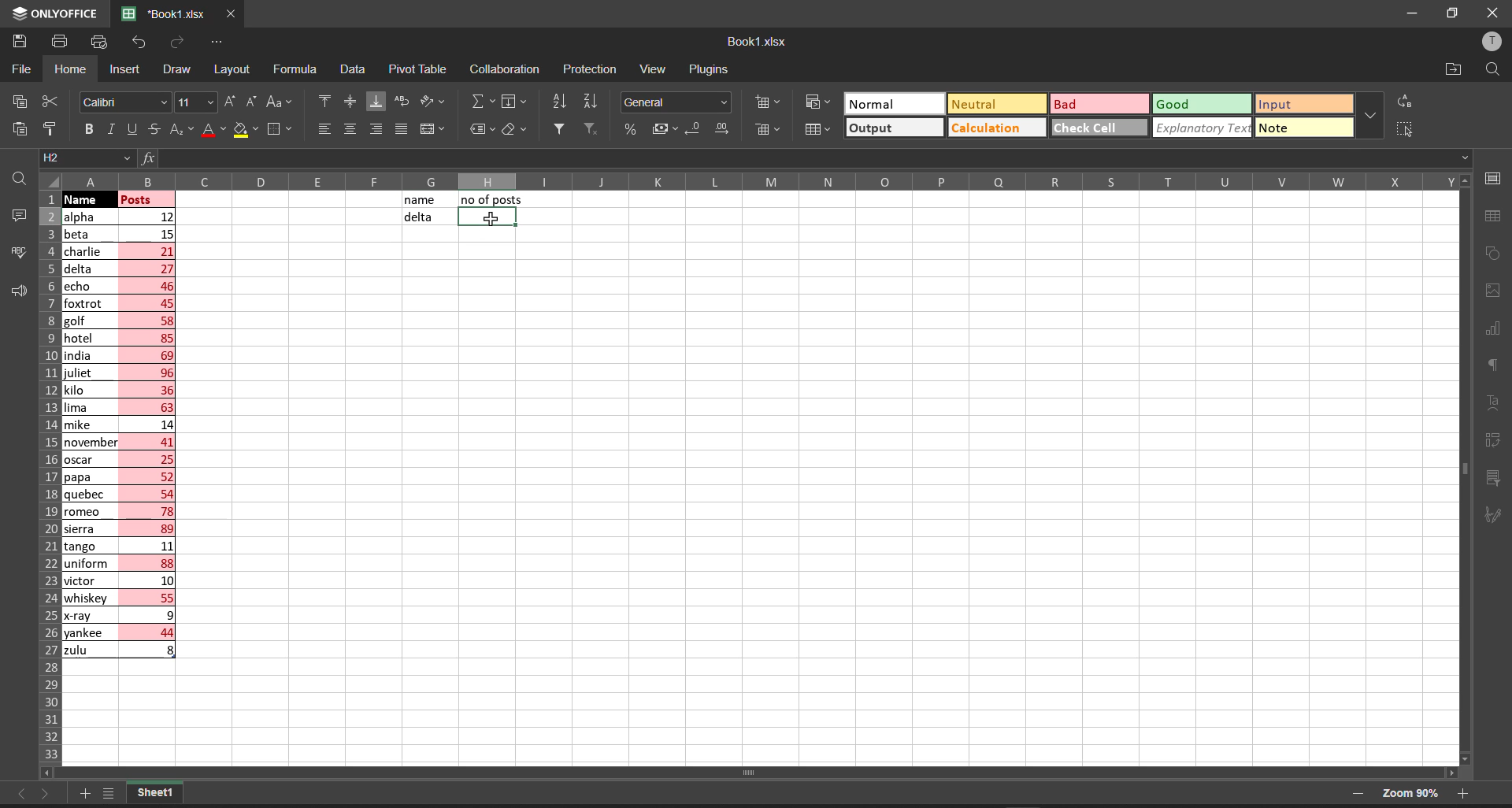  I want to click on underline, so click(129, 128).